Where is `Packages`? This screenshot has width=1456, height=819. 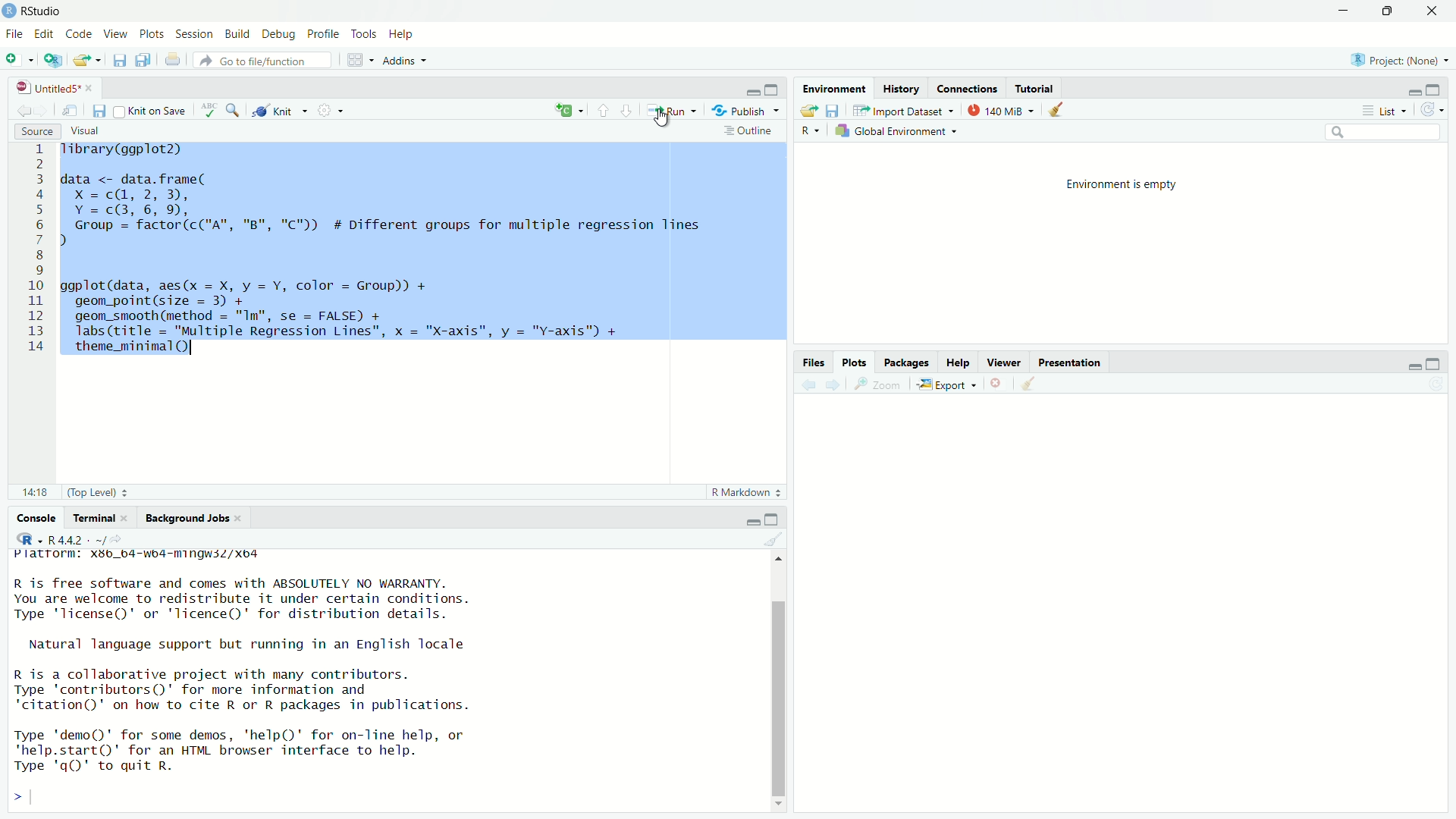 Packages is located at coordinates (908, 362).